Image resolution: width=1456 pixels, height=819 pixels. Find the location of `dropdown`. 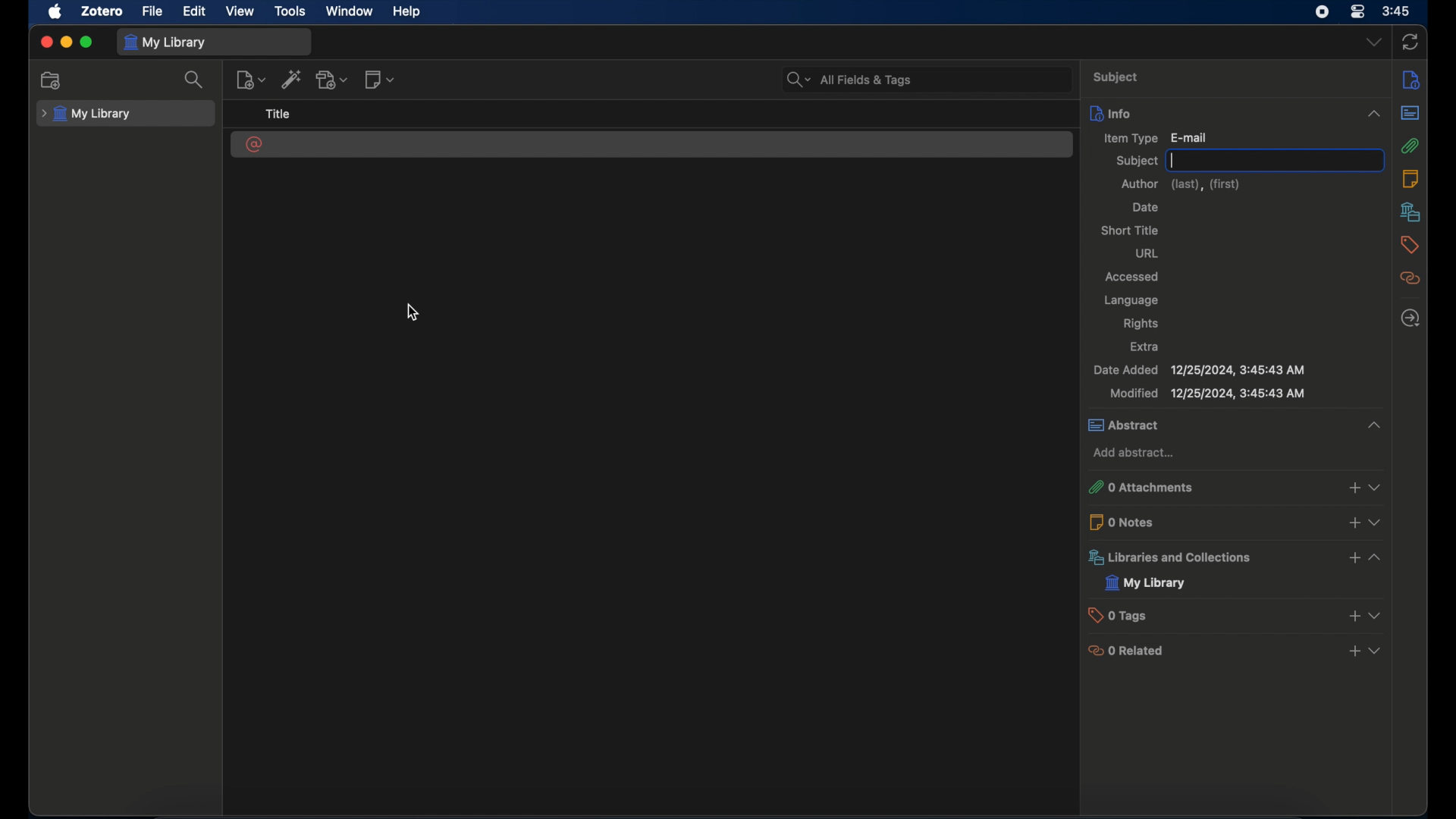

dropdown is located at coordinates (1373, 42).